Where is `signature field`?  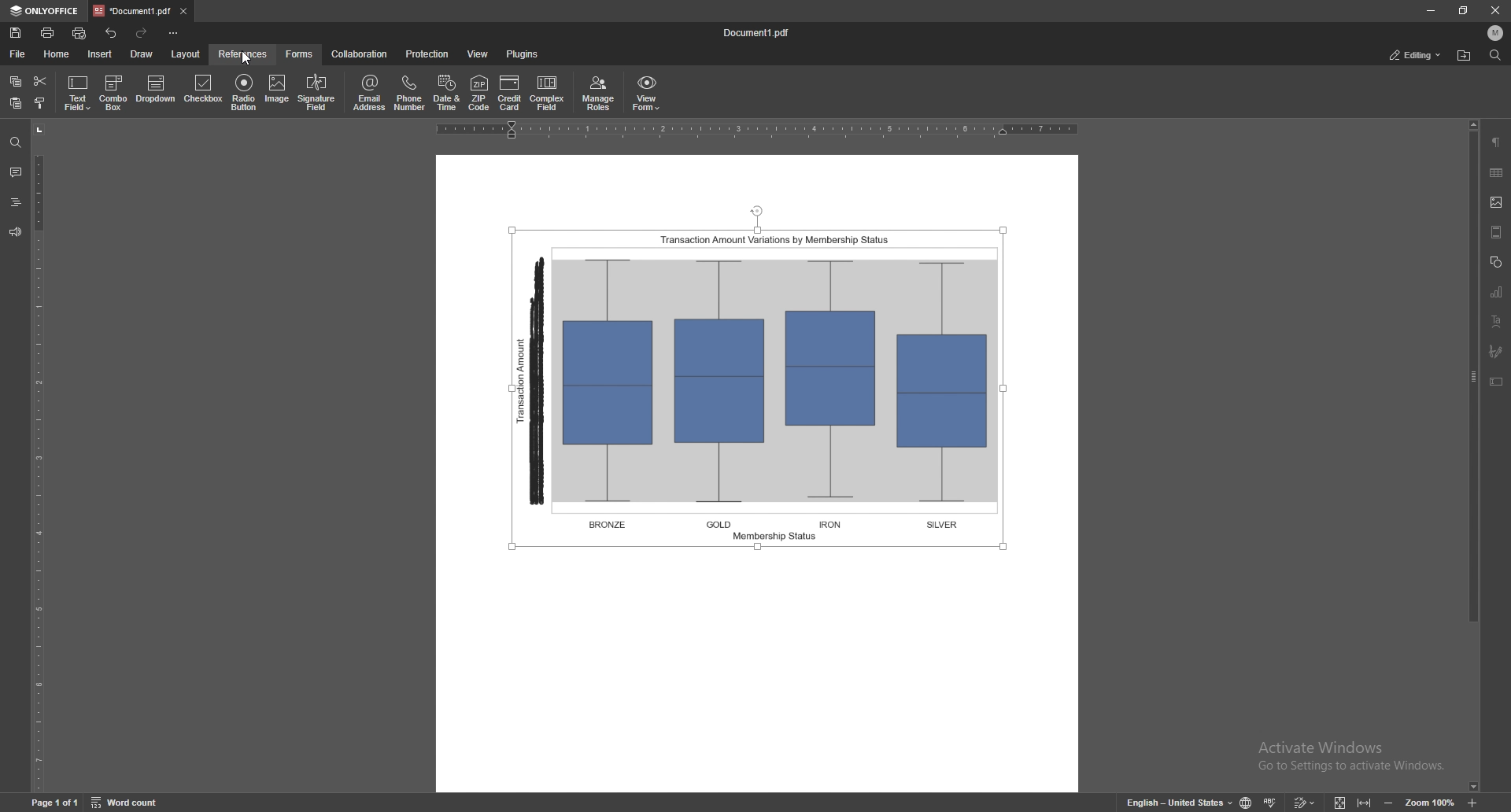 signature field is located at coordinates (317, 93).